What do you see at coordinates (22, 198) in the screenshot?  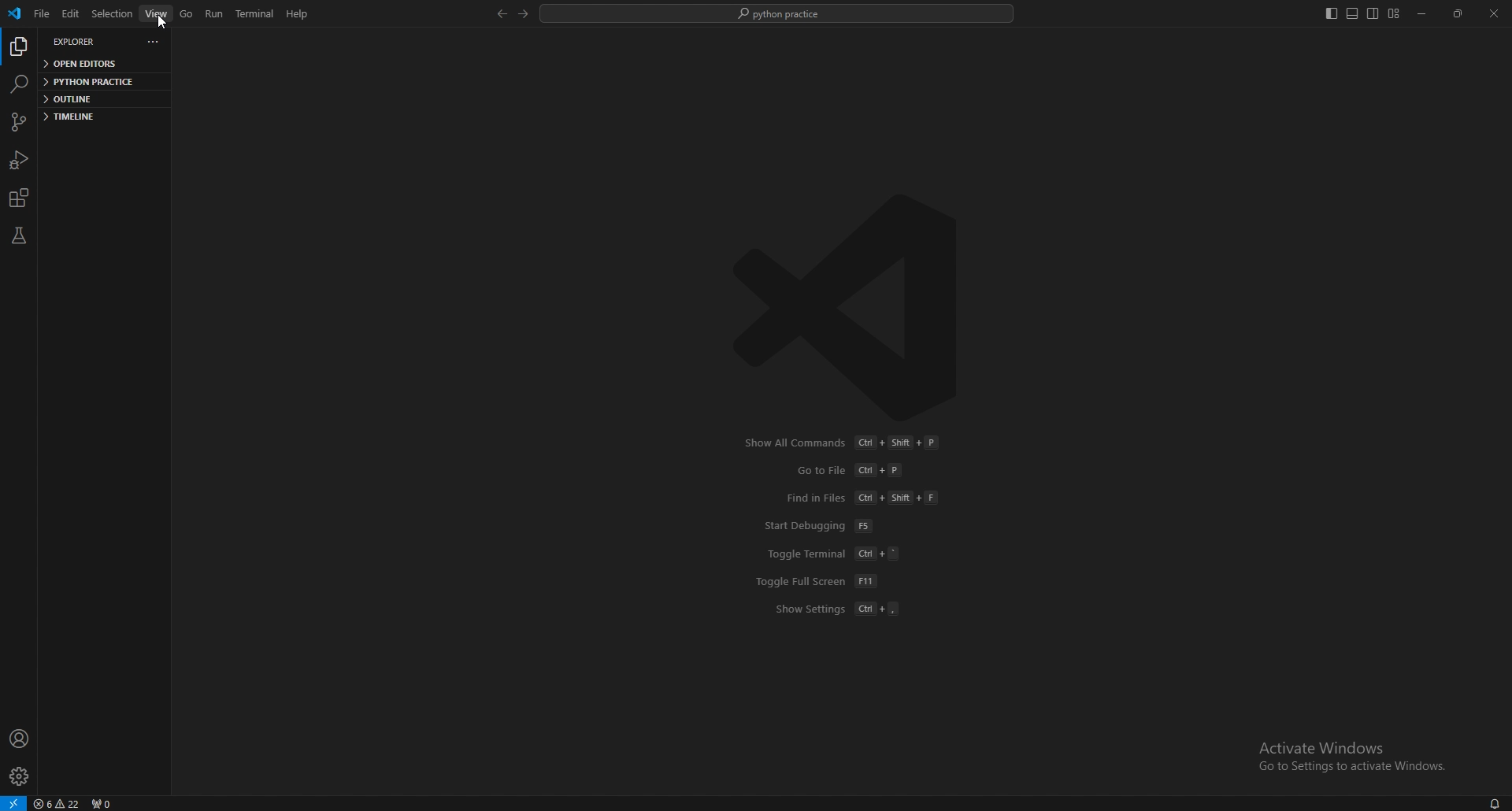 I see `extensions` at bounding box center [22, 198].